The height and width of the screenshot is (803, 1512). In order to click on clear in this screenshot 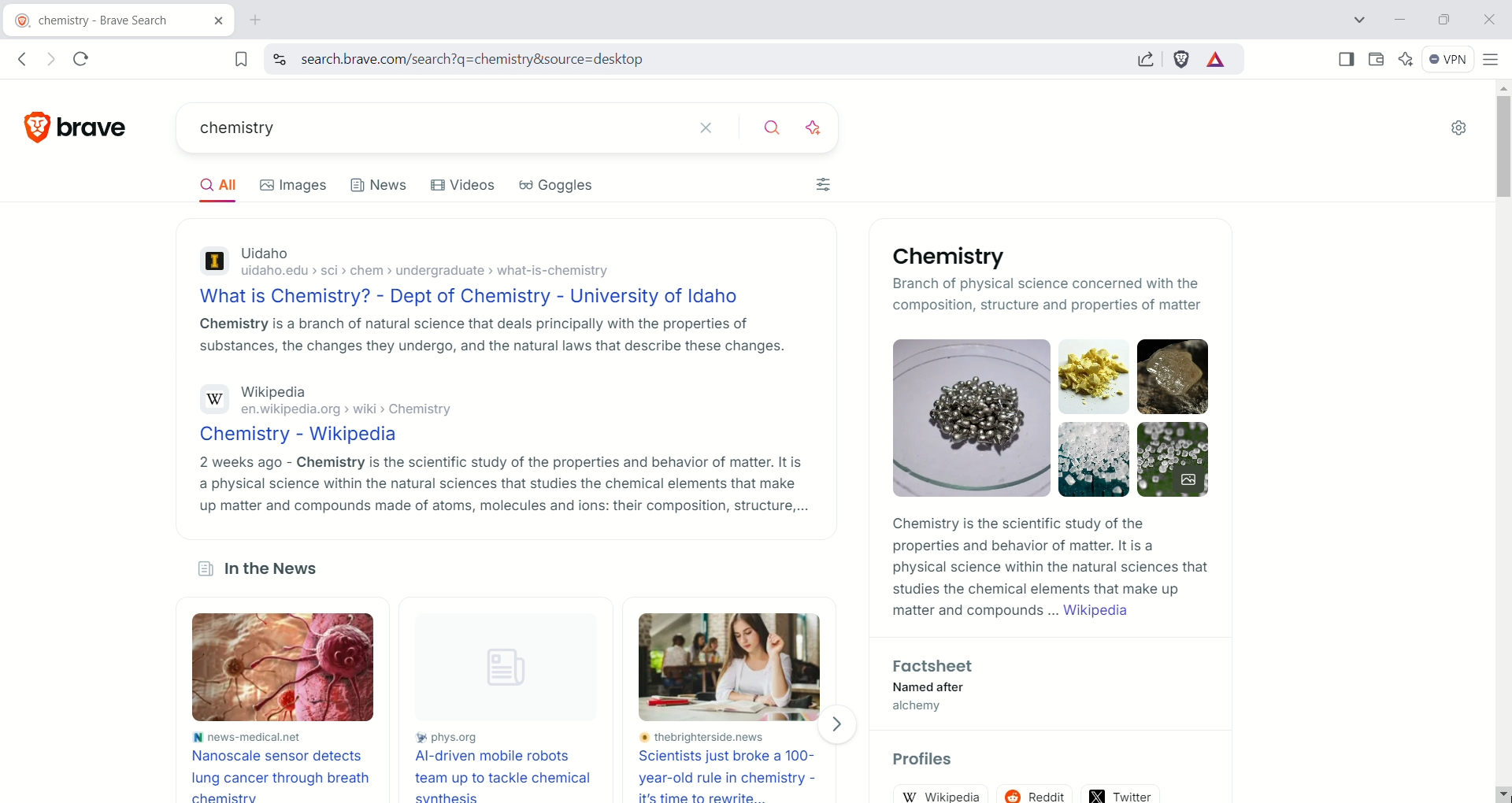, I will do `click(707, 126)`.